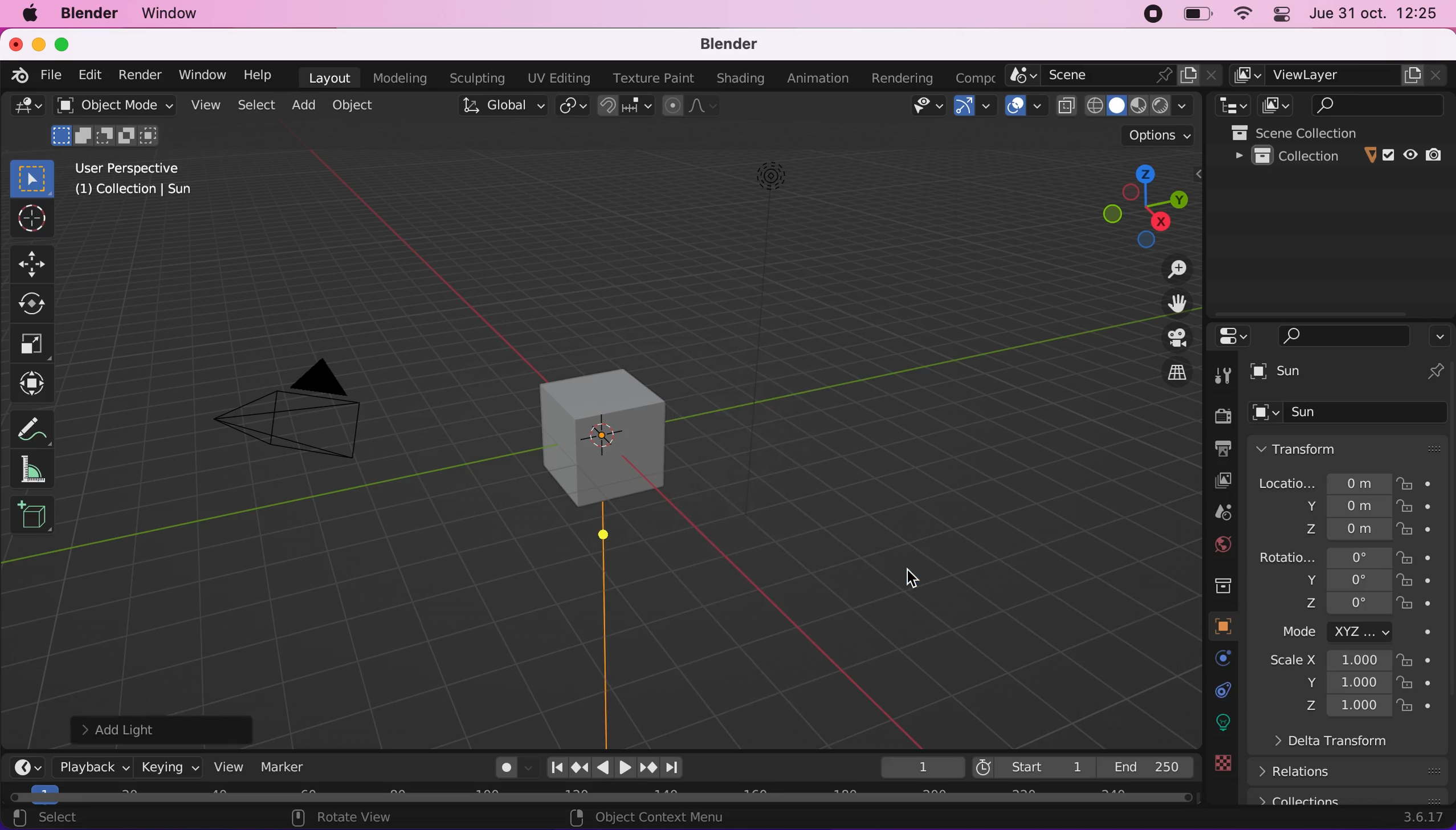 The image size is (1456, 830). What do you see at coordinates (1428, 508) in the screenshot?
I see `lock` at bounding box center [1428, 508].